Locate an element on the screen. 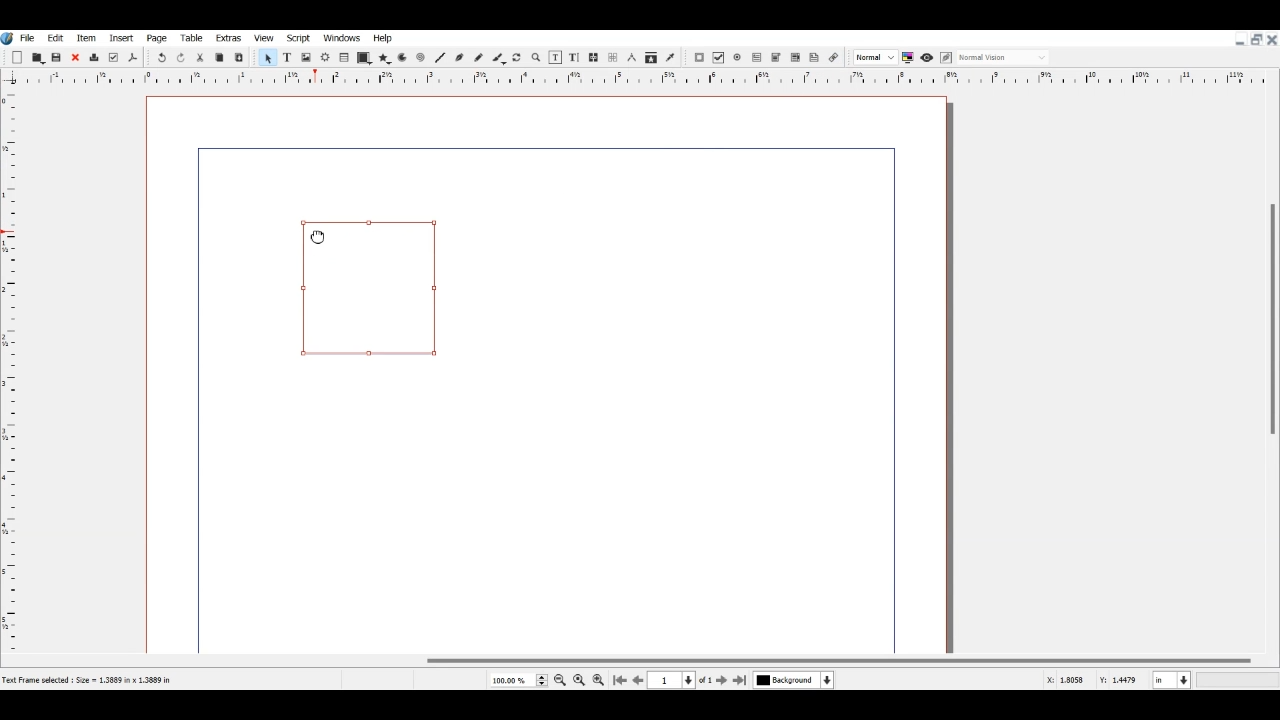 The image size is (1280, 720). Open is located at coordinates (39, 57).